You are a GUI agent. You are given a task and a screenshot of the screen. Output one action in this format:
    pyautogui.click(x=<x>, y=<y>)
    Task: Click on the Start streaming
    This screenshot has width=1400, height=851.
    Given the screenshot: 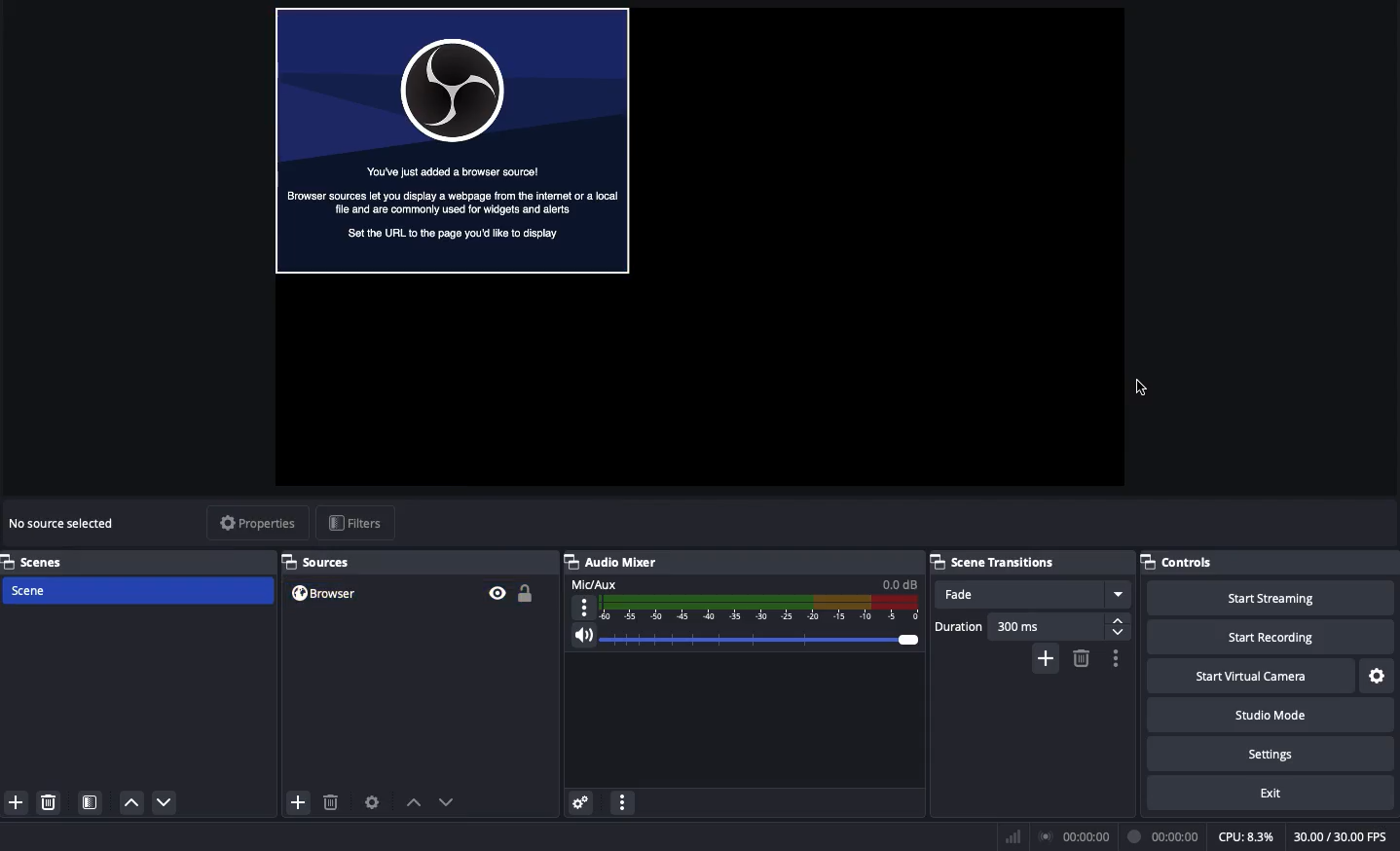 What is the action you would take?
    pyautogui.click(x=1277, y=594)
    